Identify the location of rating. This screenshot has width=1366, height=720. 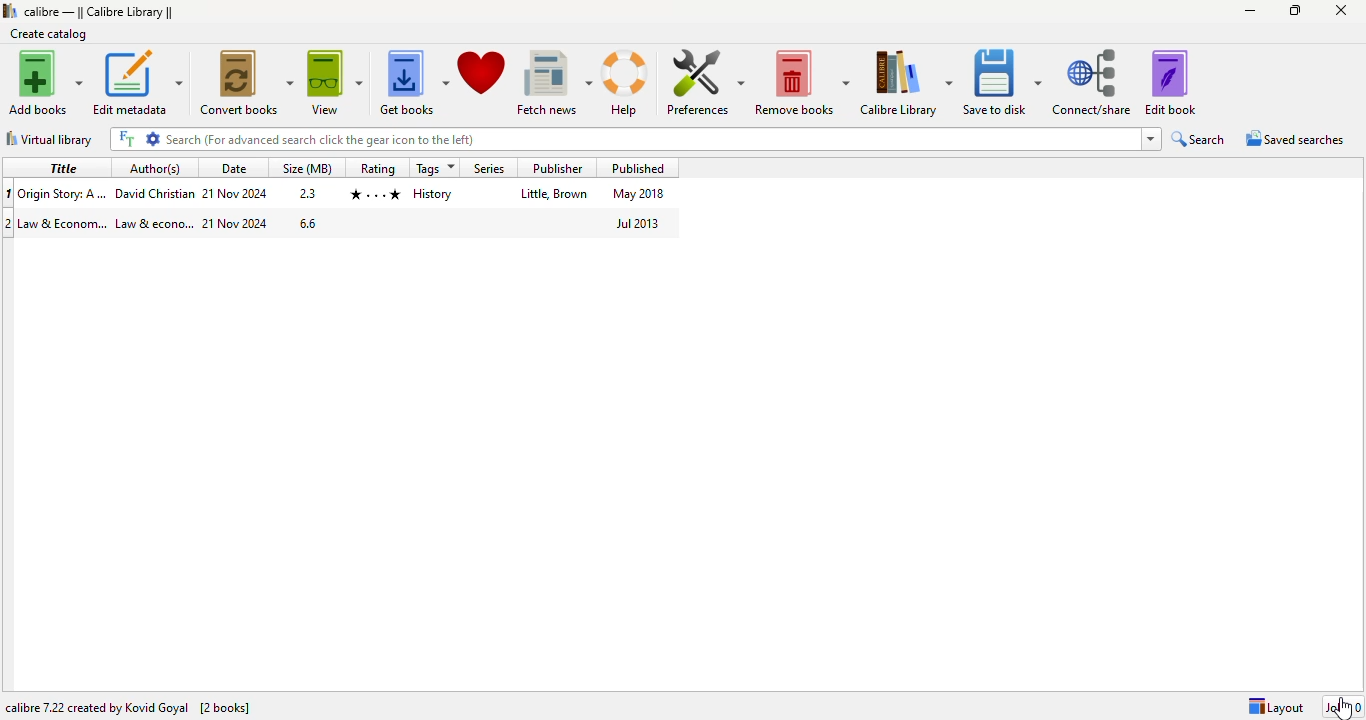
(372, 193).